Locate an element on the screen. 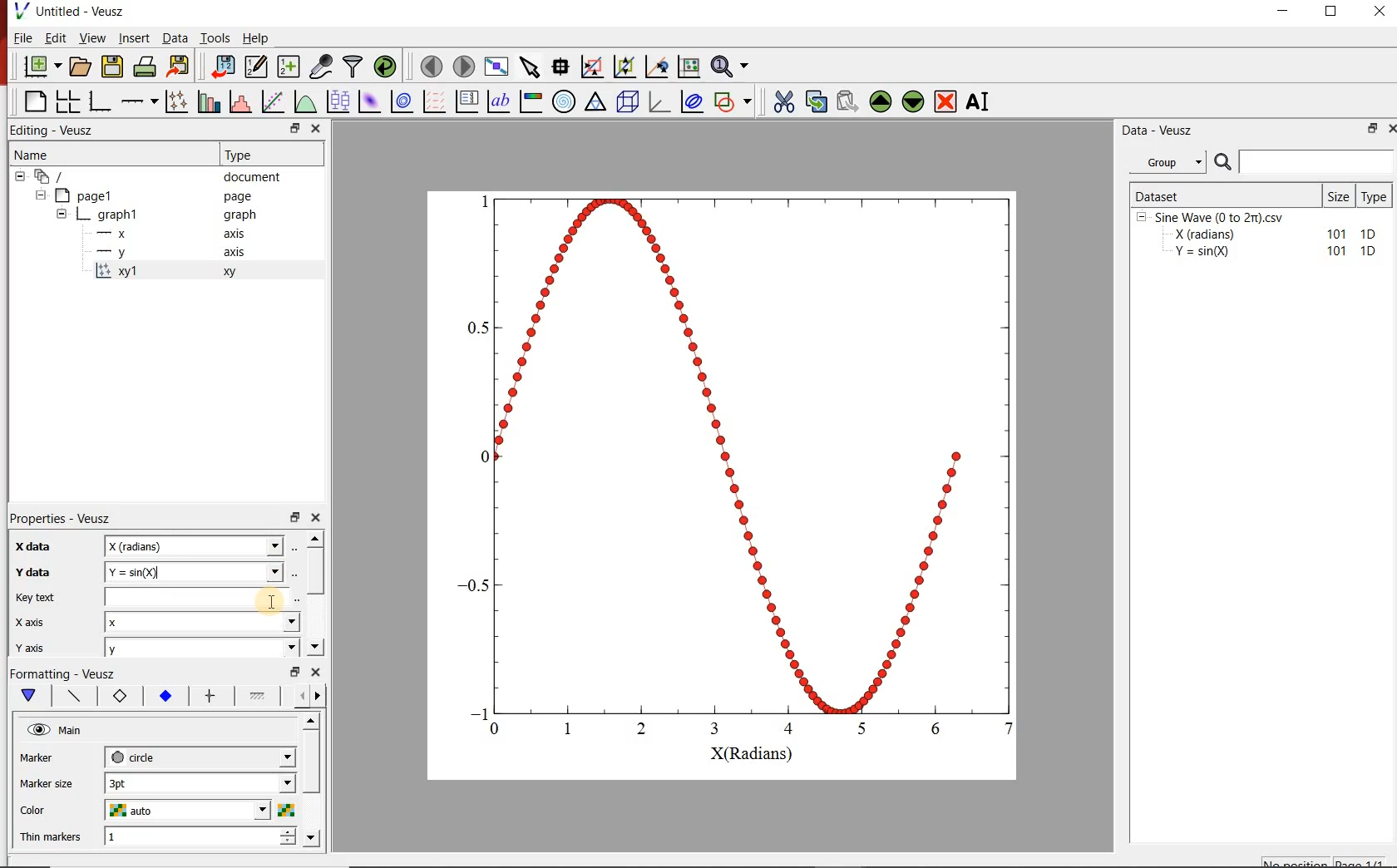  Move left is located at coordinates (299, 695).